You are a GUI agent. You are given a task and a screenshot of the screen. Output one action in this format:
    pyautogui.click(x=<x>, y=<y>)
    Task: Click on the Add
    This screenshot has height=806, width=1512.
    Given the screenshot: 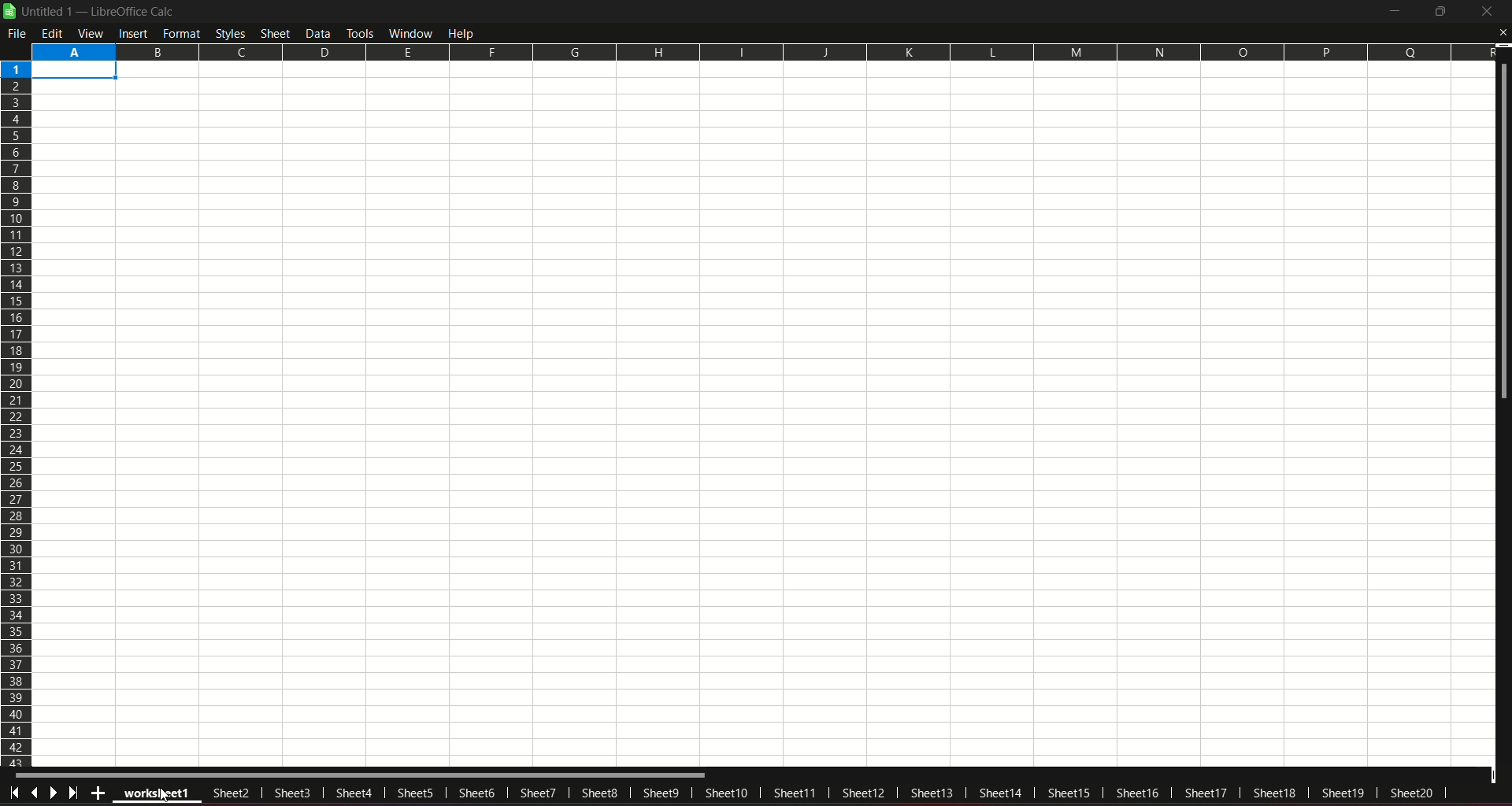 What is the action you would take?
    pyautogui.click(x=96, y=793)
    